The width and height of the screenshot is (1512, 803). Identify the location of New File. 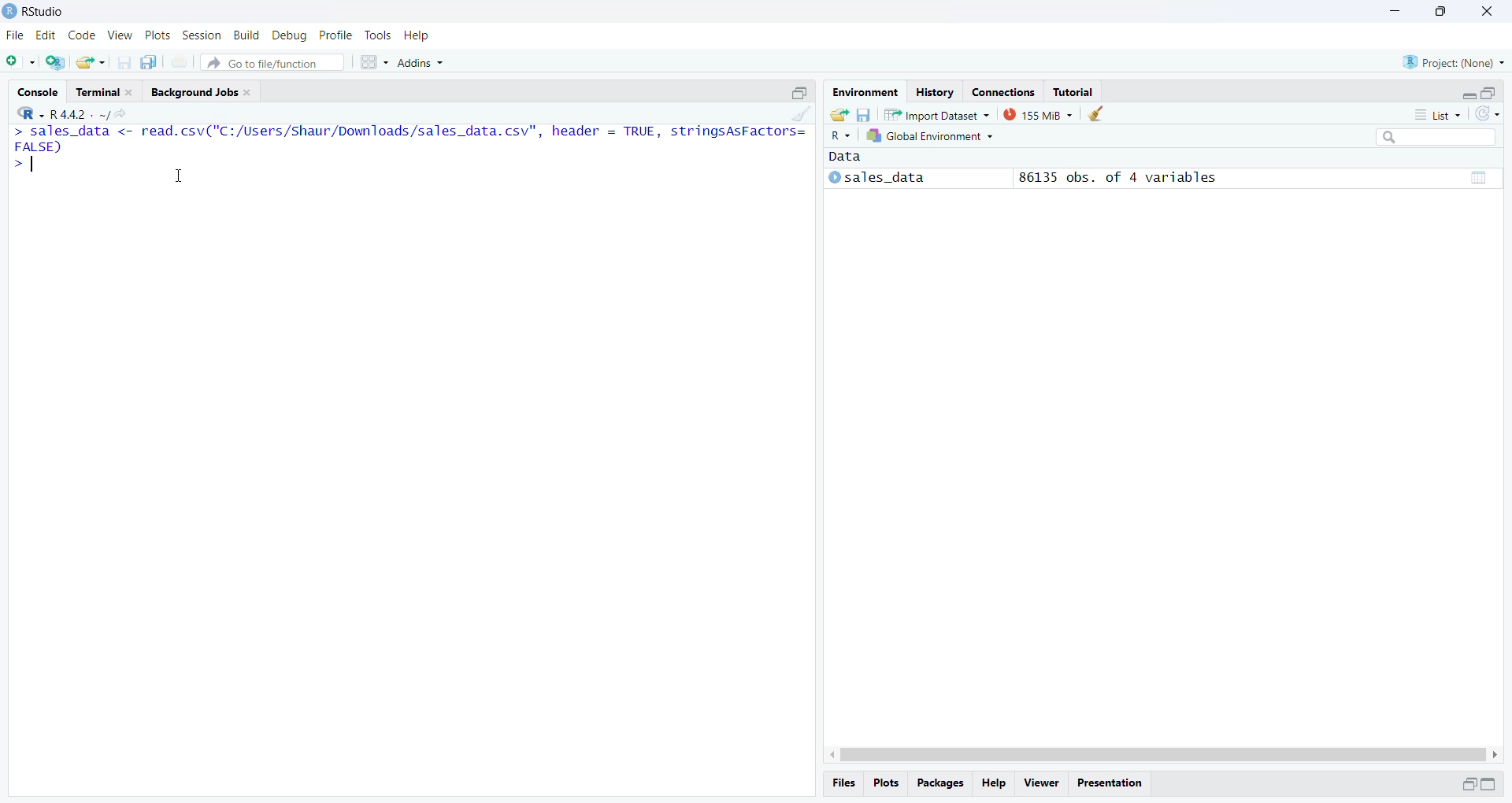
(19, 60).